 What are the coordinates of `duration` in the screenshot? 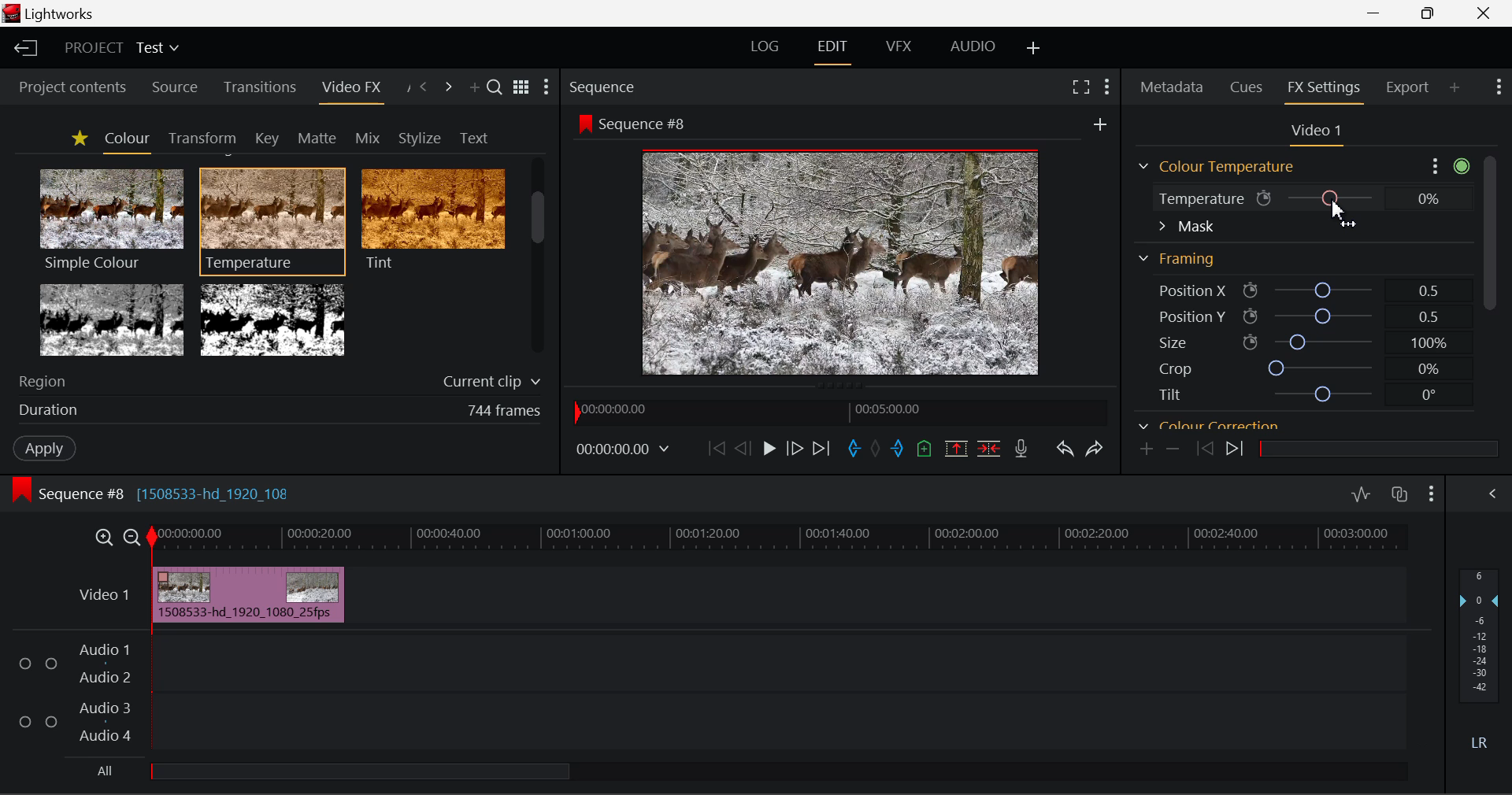 It's located at (44, 411).